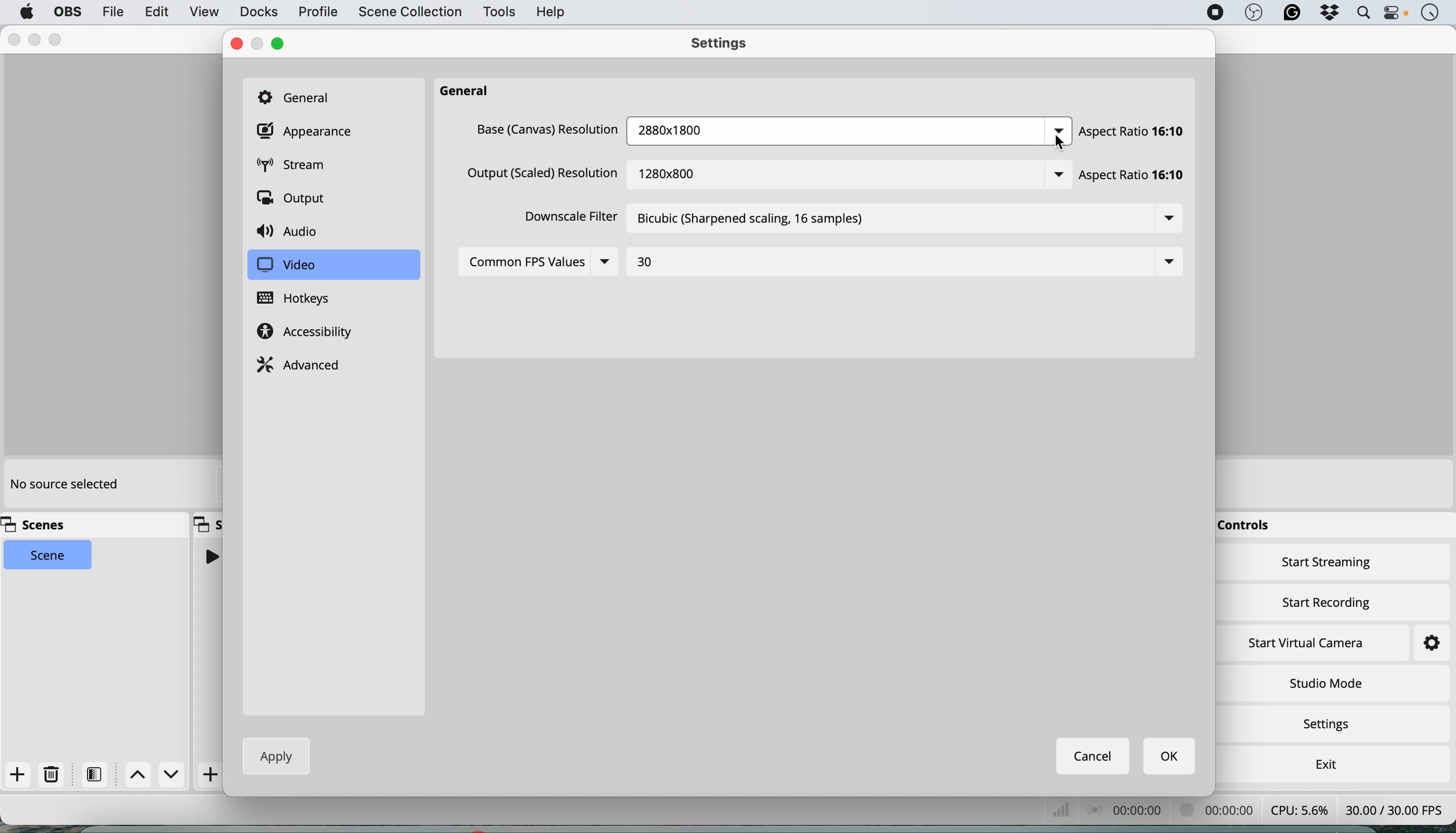 The height and width of the screenshot is (833, 1456). What do you see at coordinates (286, 265) in the screenshot?
I see `video` at bounding box center [286, 265].